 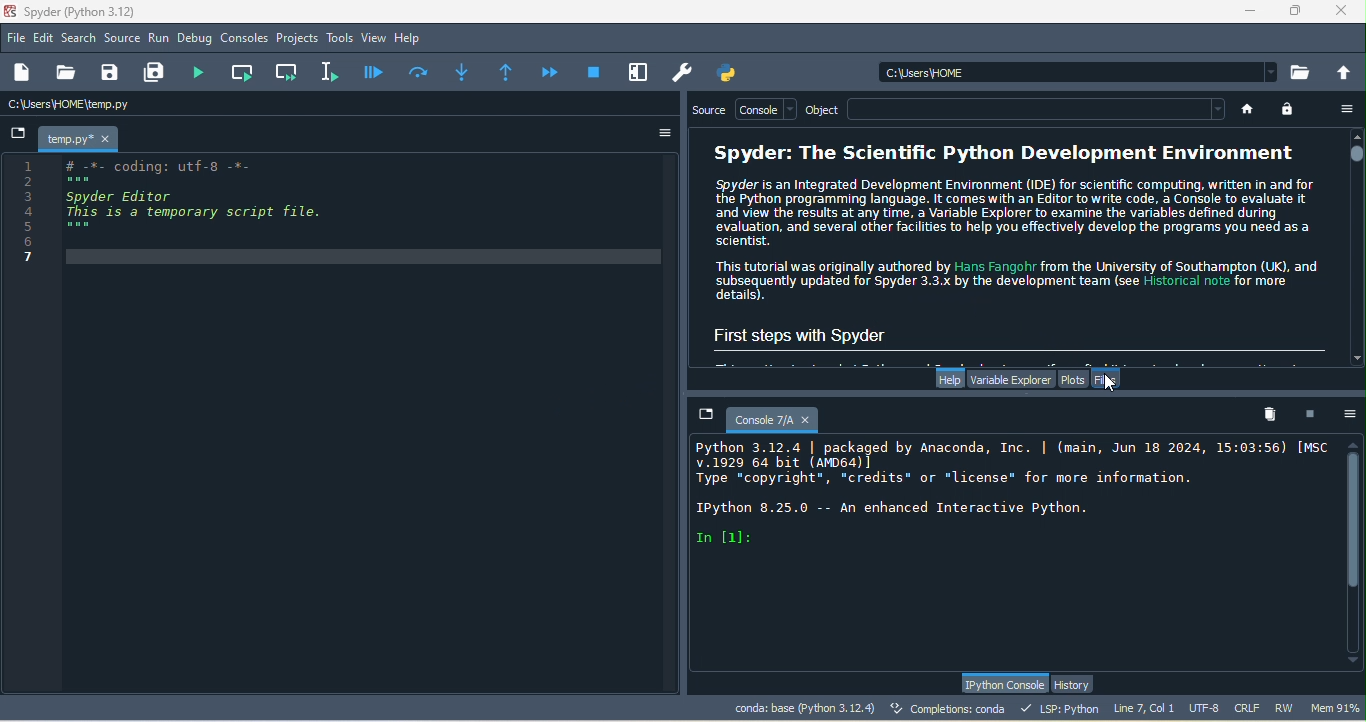 What do you see at coordinates (762, 417) in the screenshot?
I see `console 7/a` at bounding box center [762, 417].